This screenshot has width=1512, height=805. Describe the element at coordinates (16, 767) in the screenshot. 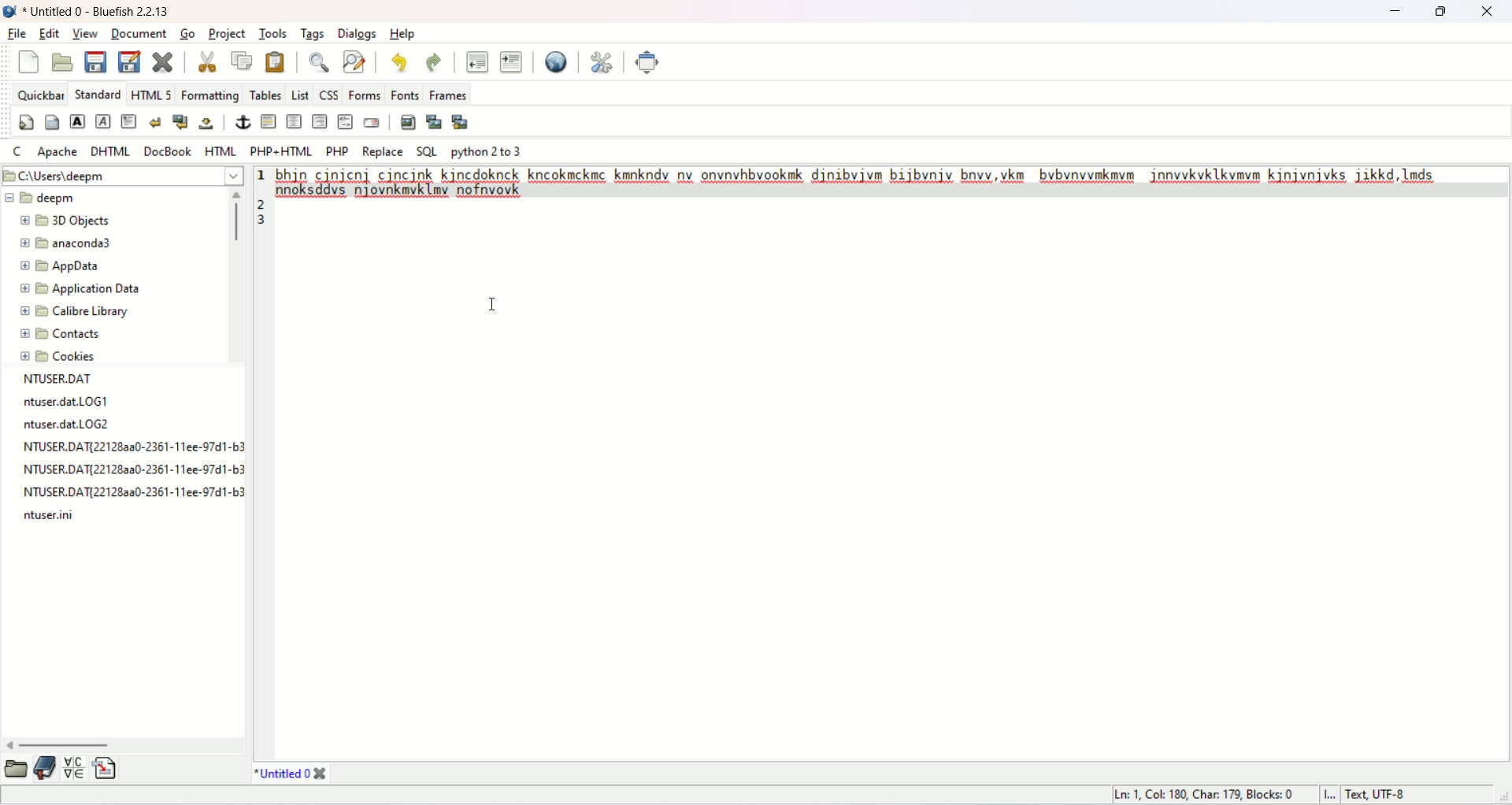

I see `open` at that location.